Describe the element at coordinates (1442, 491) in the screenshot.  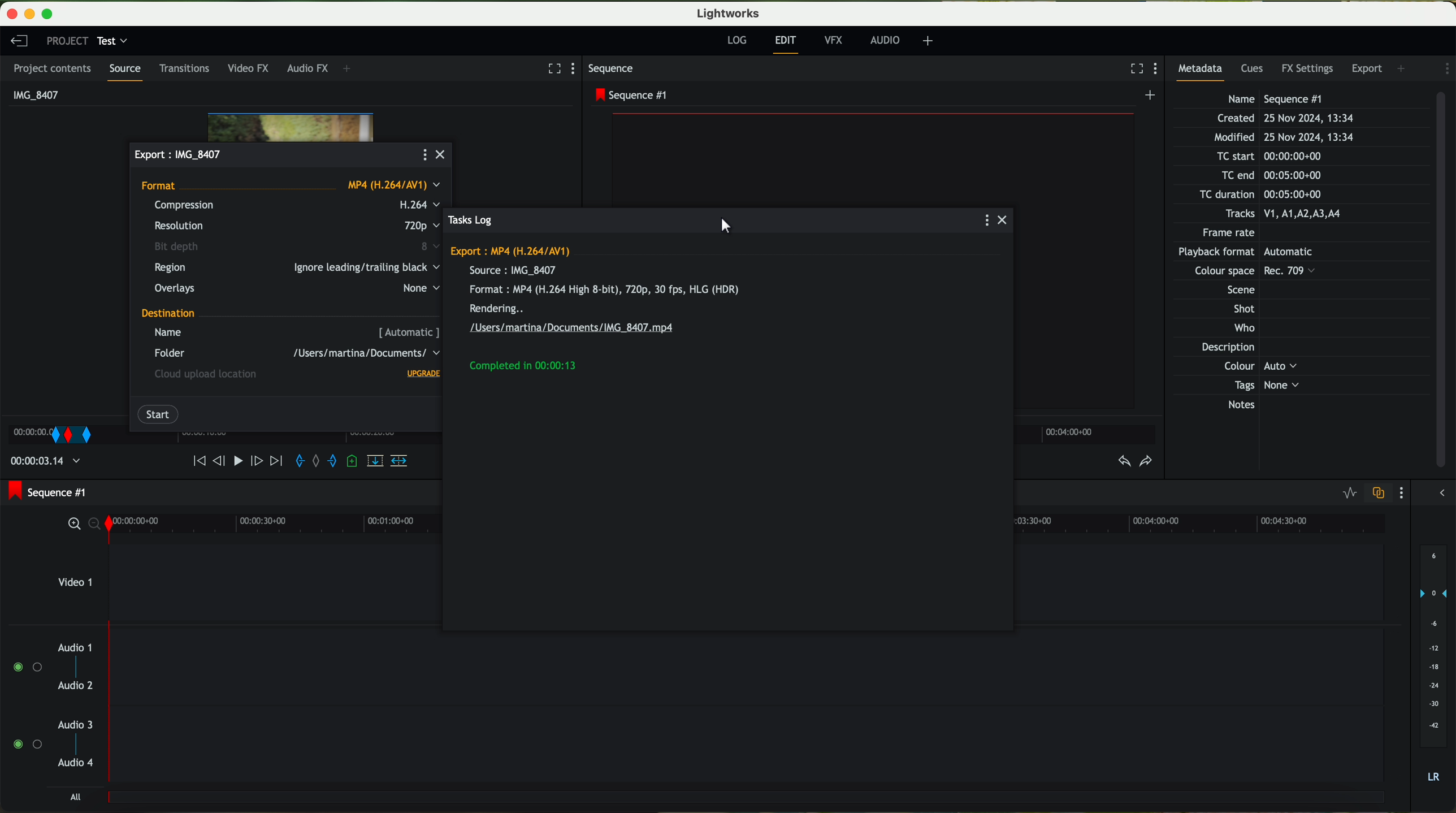
I see `show/hide the full audio mix menu` at that location.